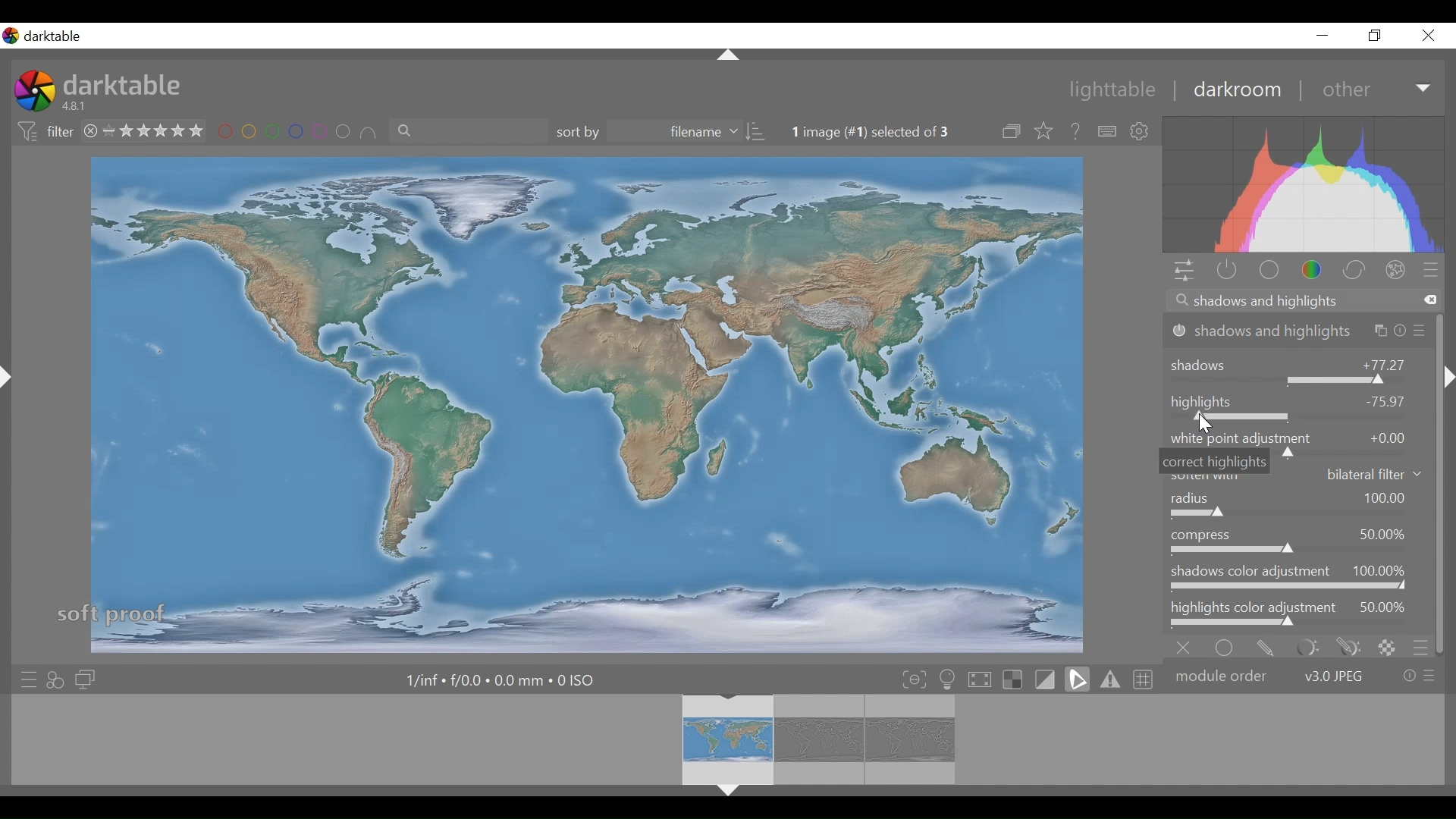 This screenshot has width=1456, height=819. What do you see at coordinates (1431, 36) in the screenshot?
I see `close` at bounding box center [1431, 36].